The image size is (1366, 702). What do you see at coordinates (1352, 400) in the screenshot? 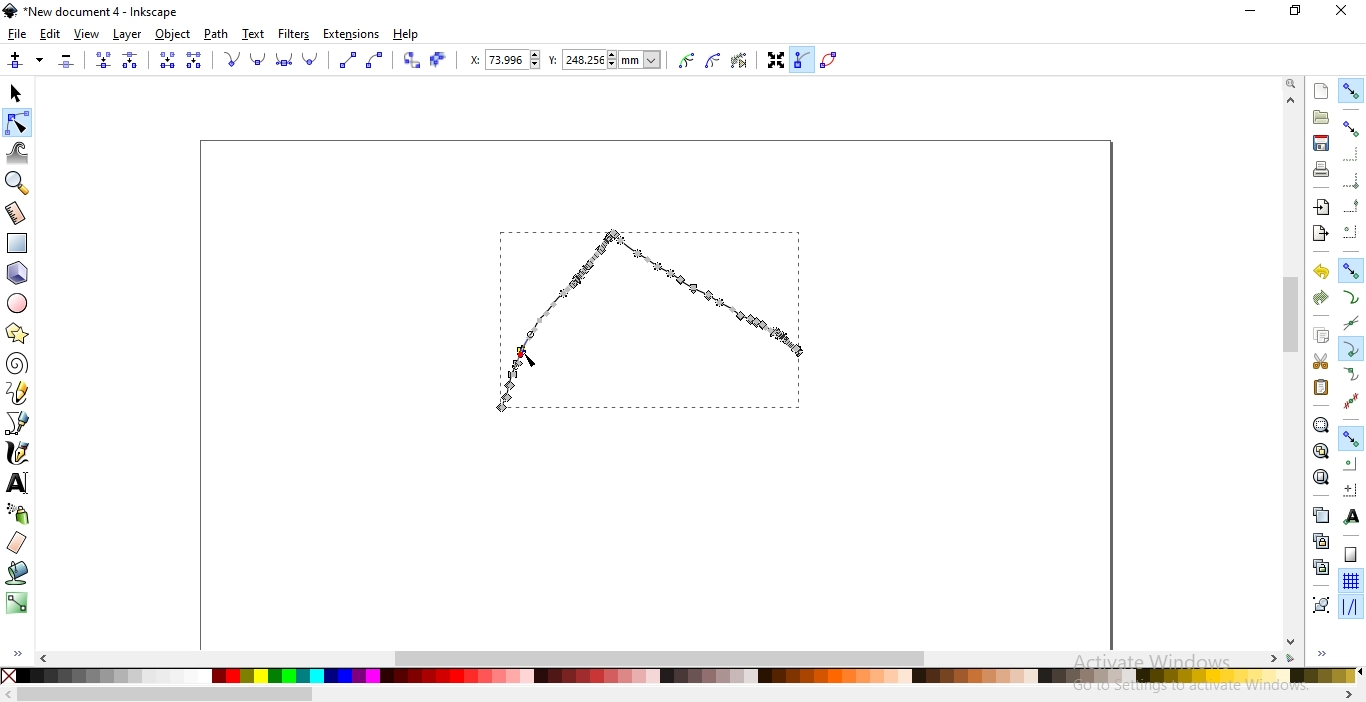
I see `snap midpoints of line segments` at bounding box center [1352, 400].